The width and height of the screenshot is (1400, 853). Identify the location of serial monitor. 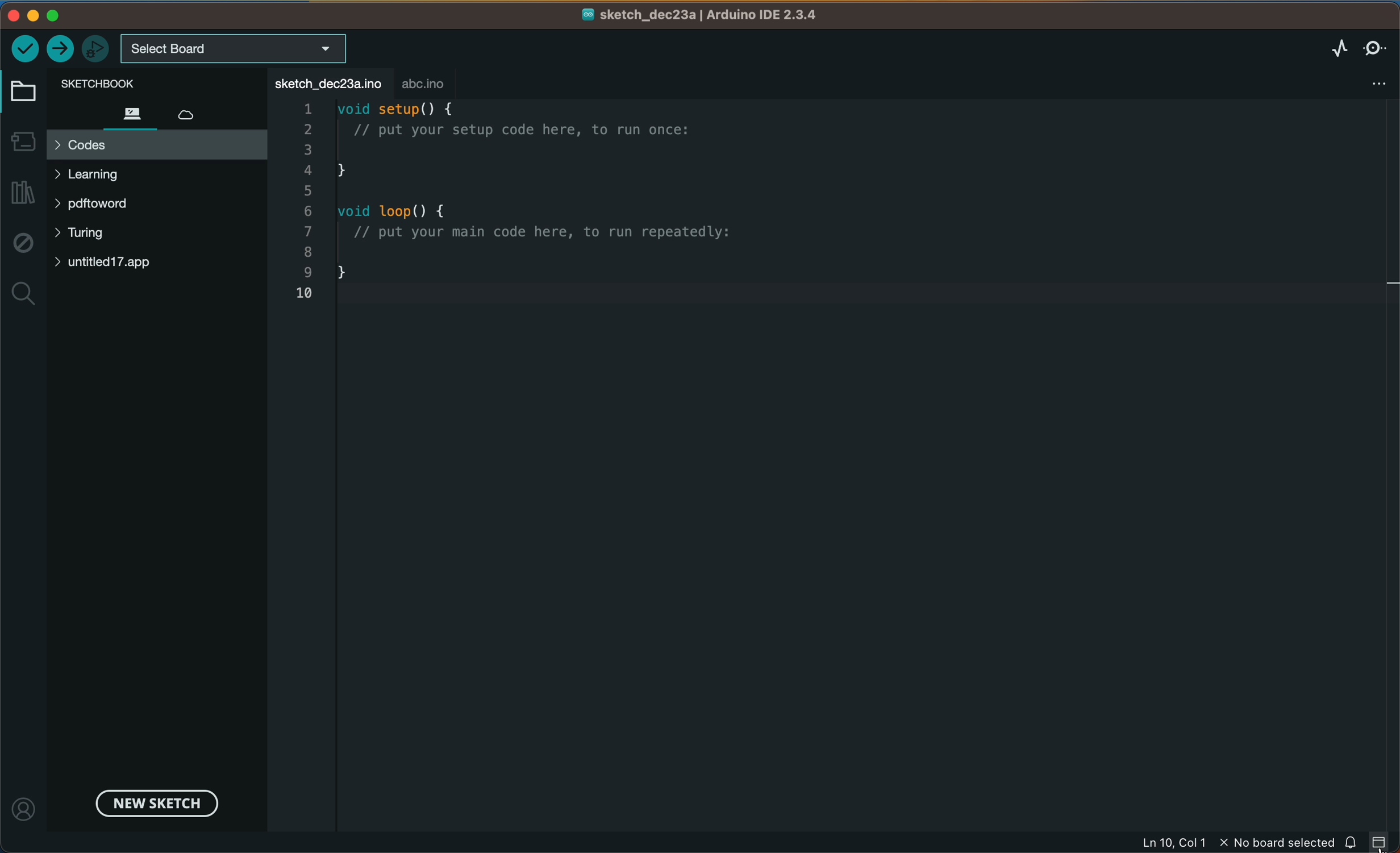
(1376, 44).